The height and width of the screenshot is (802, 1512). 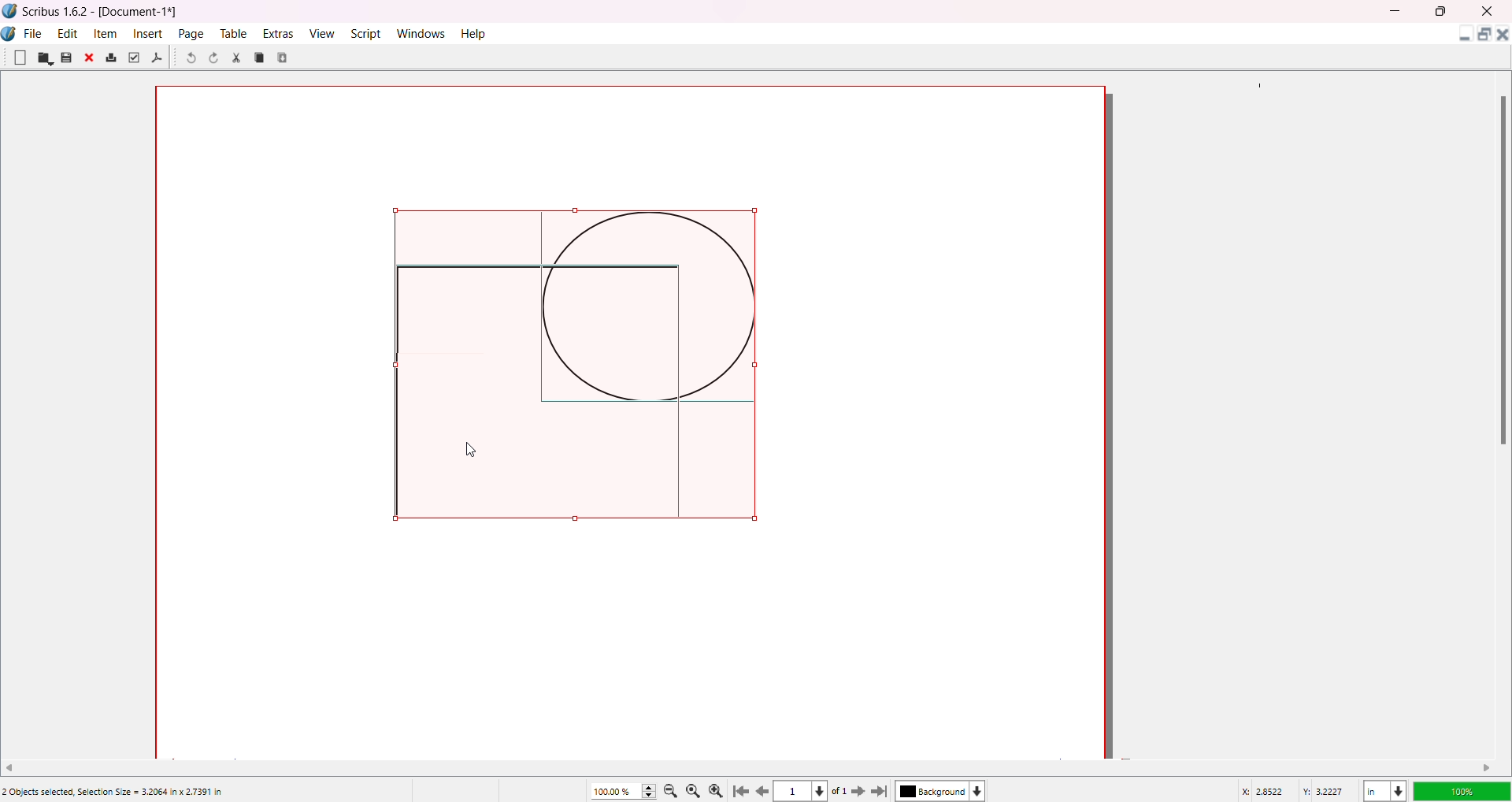 What do you see at coordinates (881, 790) in the screenshot?
I see `Last` at bounding box center [881, 790].